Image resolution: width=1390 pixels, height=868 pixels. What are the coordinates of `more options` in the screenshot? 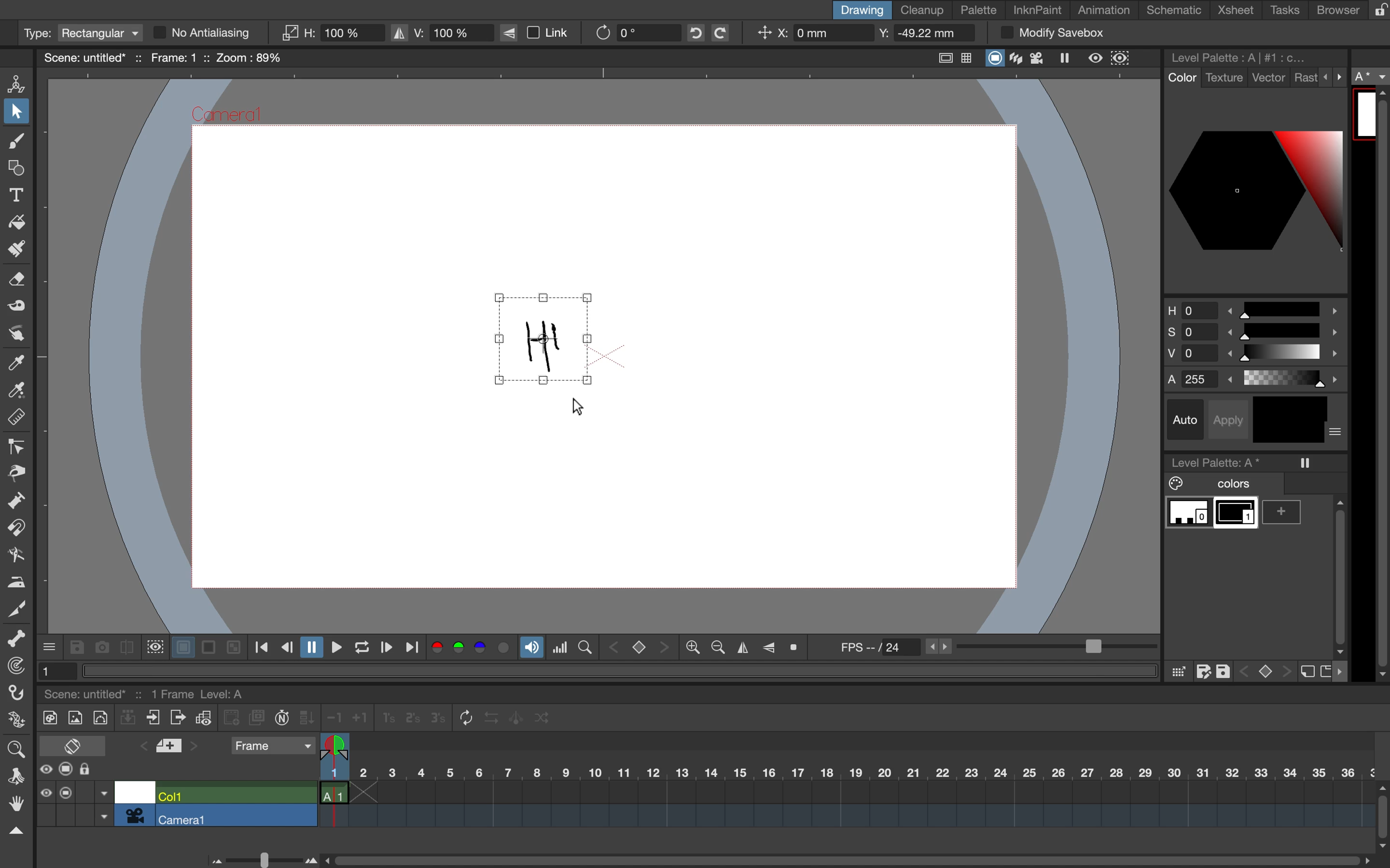 It's located at (1337, 433).